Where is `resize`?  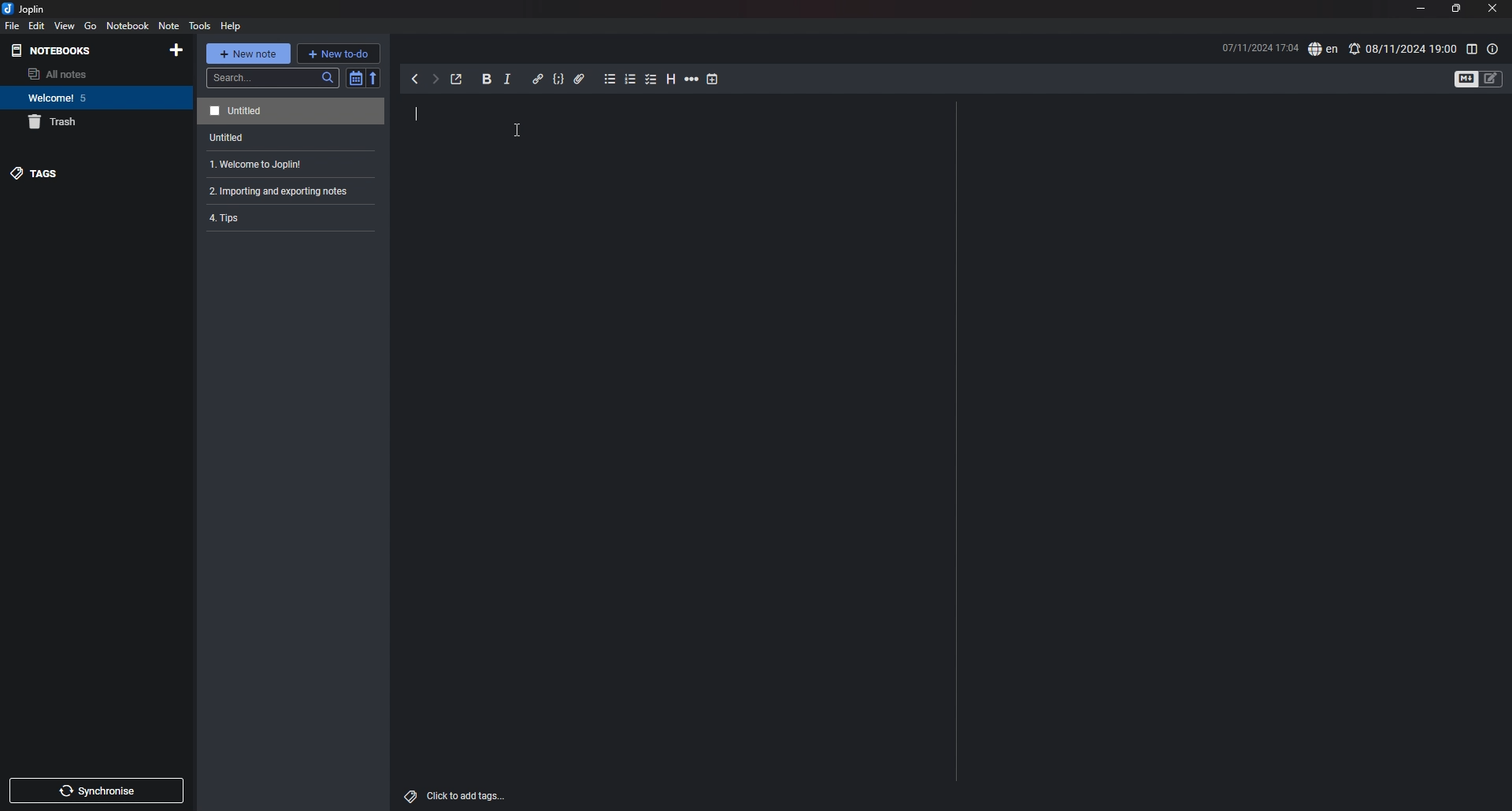 resize is located at coordinates (1457, 9).